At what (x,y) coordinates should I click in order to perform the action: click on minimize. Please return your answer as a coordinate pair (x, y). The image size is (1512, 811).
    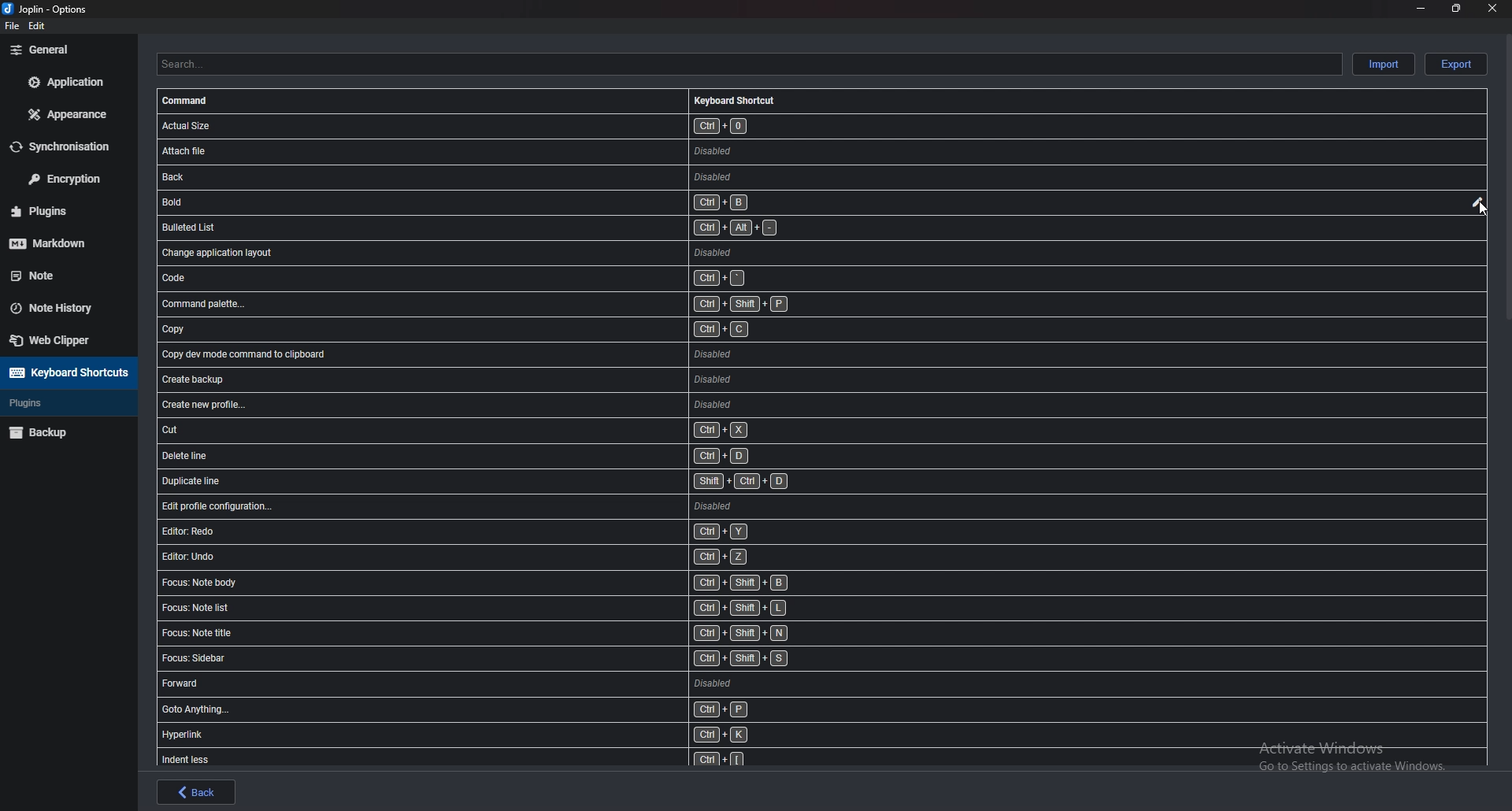
    Looking at the image, I should click on (1421, 9).